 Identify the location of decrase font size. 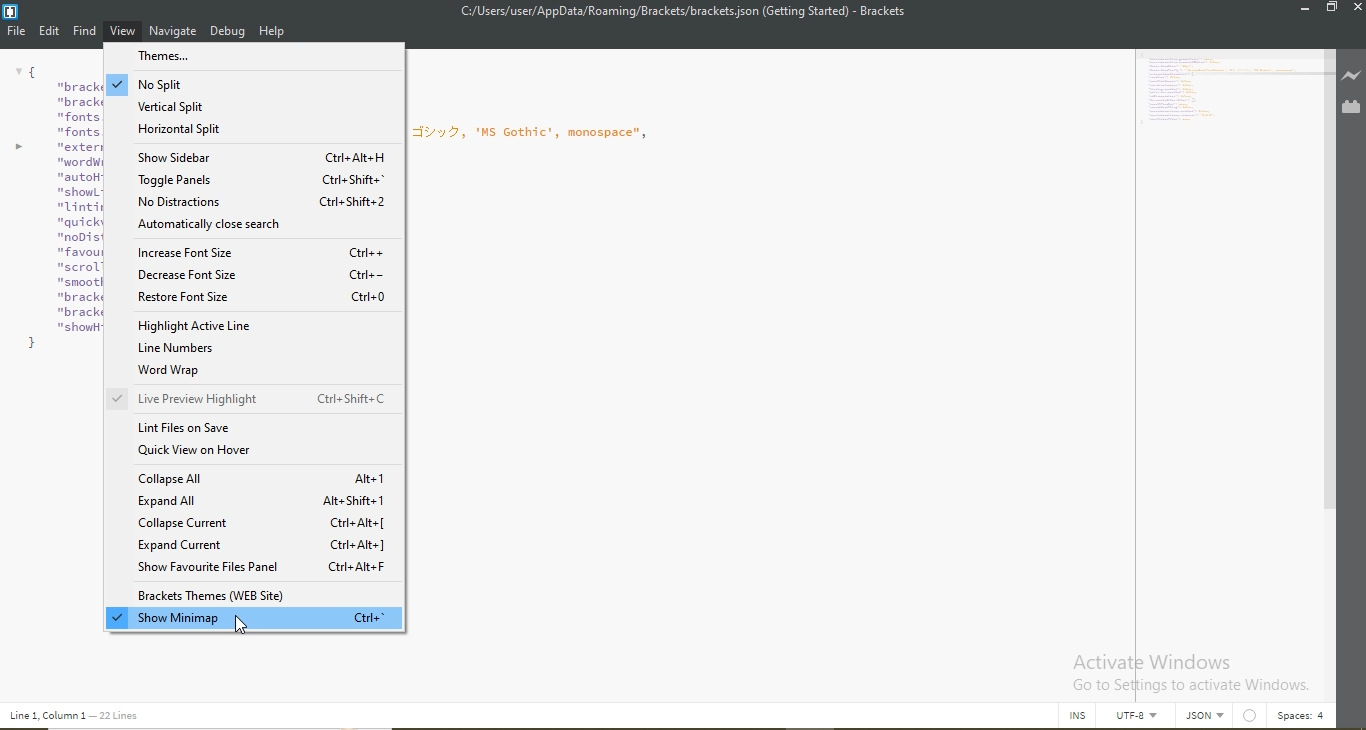
(255, 275).